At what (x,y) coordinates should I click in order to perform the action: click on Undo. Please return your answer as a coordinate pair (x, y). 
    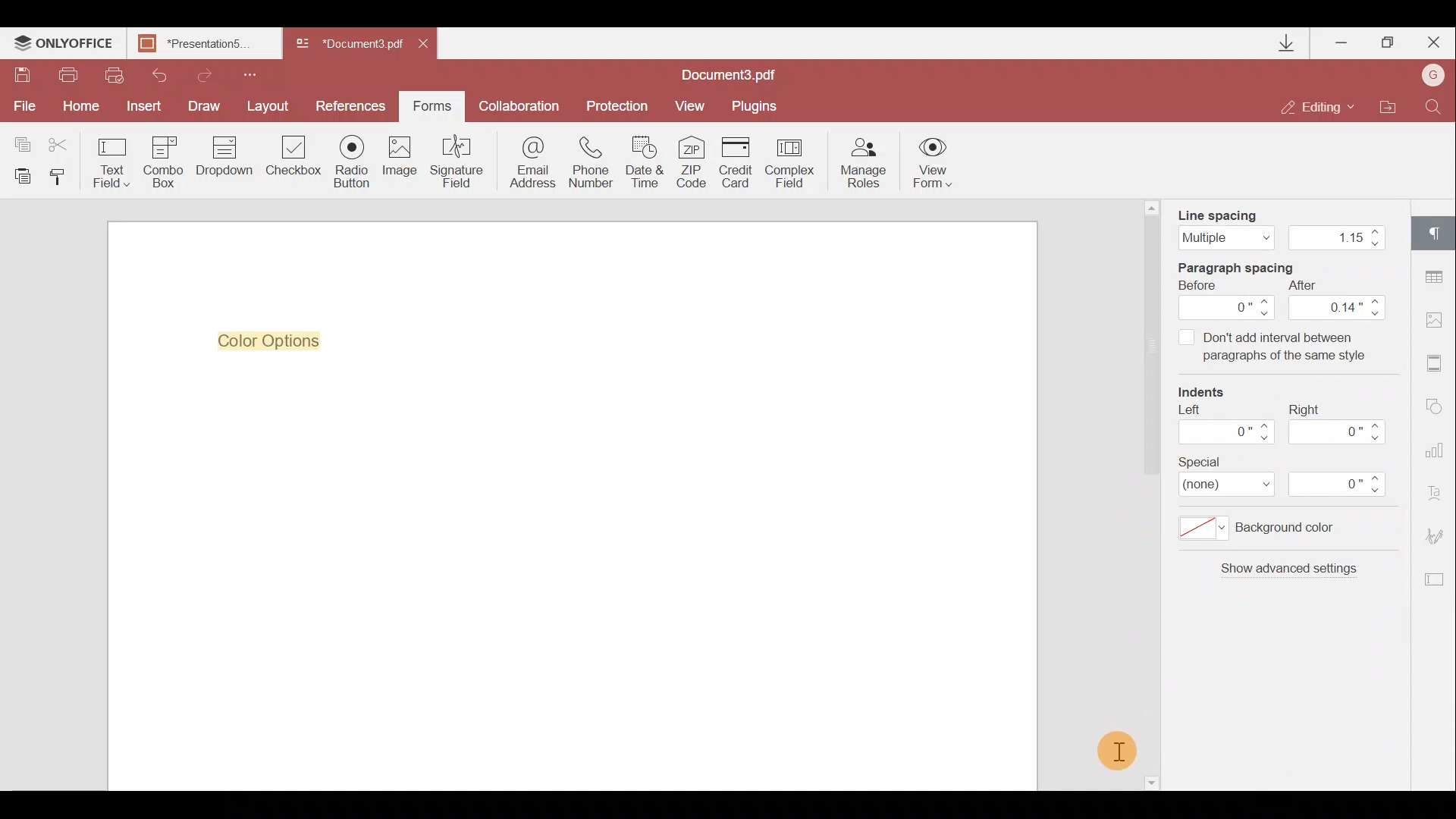
    Looking at the image, I should click on (158, 76).